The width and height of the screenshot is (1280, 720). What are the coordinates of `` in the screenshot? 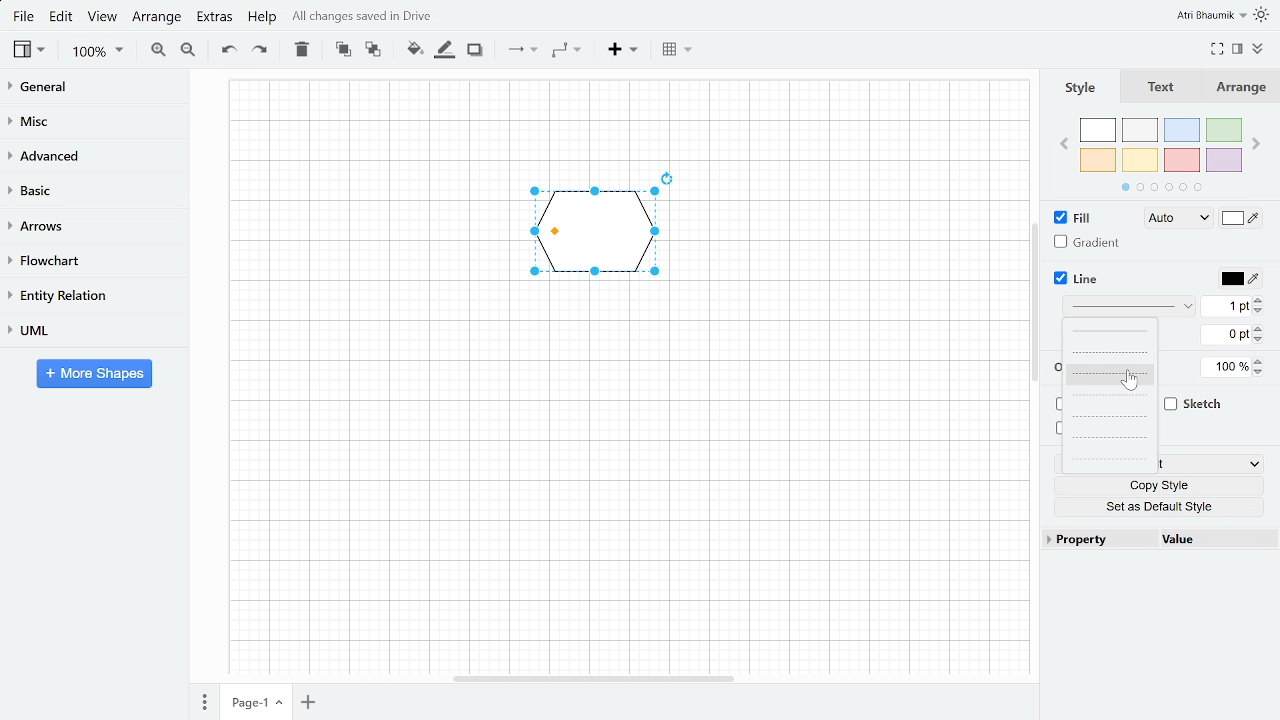 It's located at (1034, 302).